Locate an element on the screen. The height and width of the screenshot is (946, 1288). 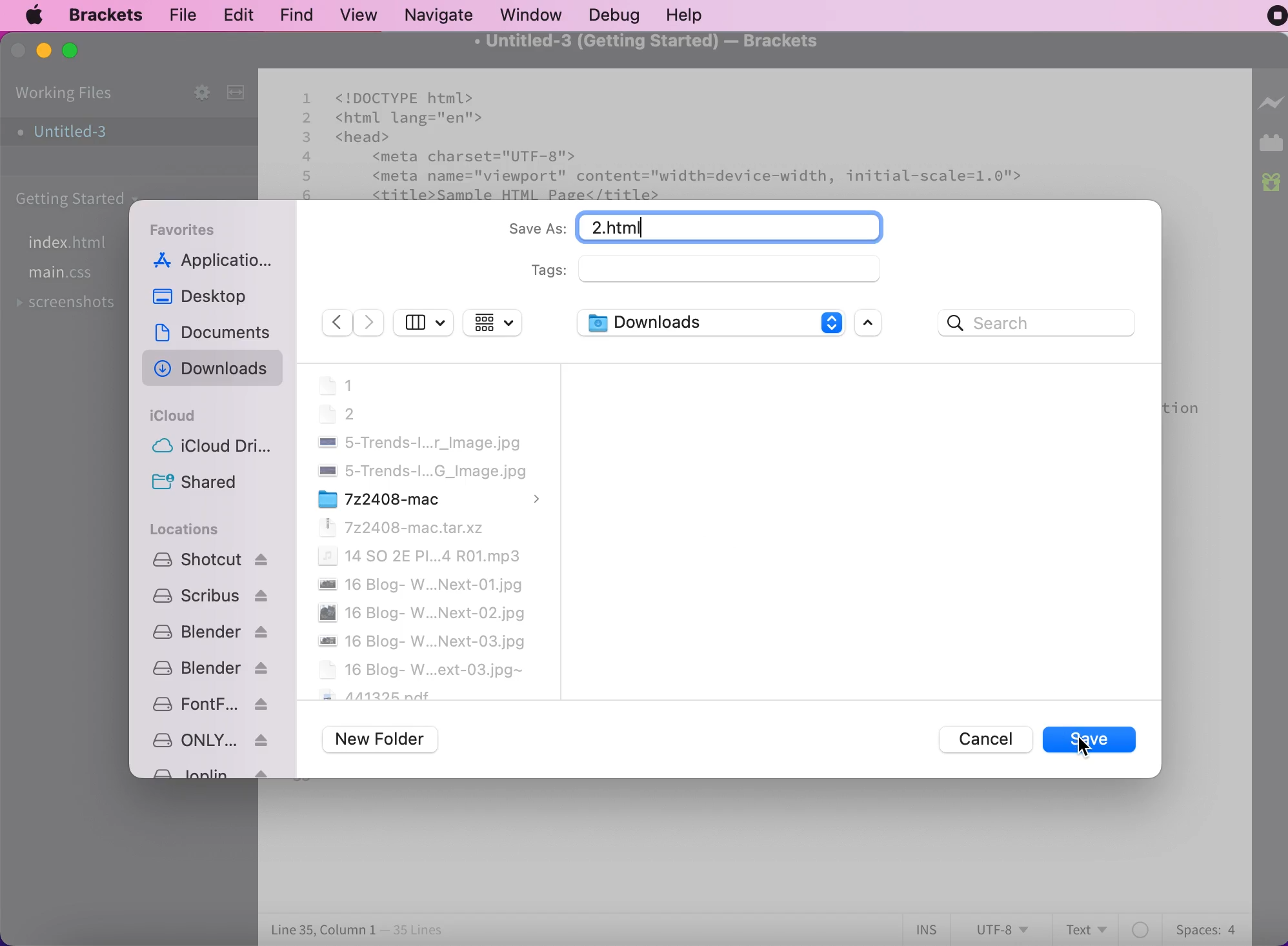
color is located at coordinates (1141, 927).